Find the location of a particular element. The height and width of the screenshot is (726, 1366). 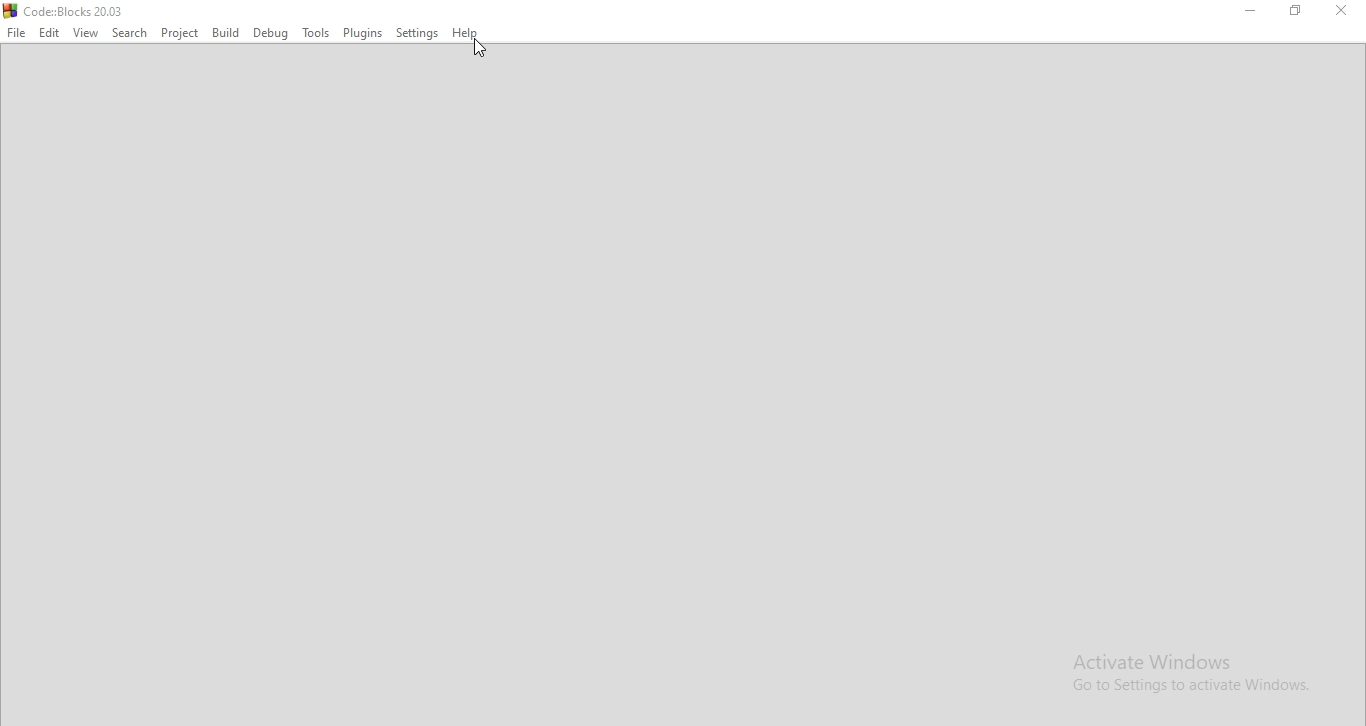

View  is located at coordinates (86, 32).